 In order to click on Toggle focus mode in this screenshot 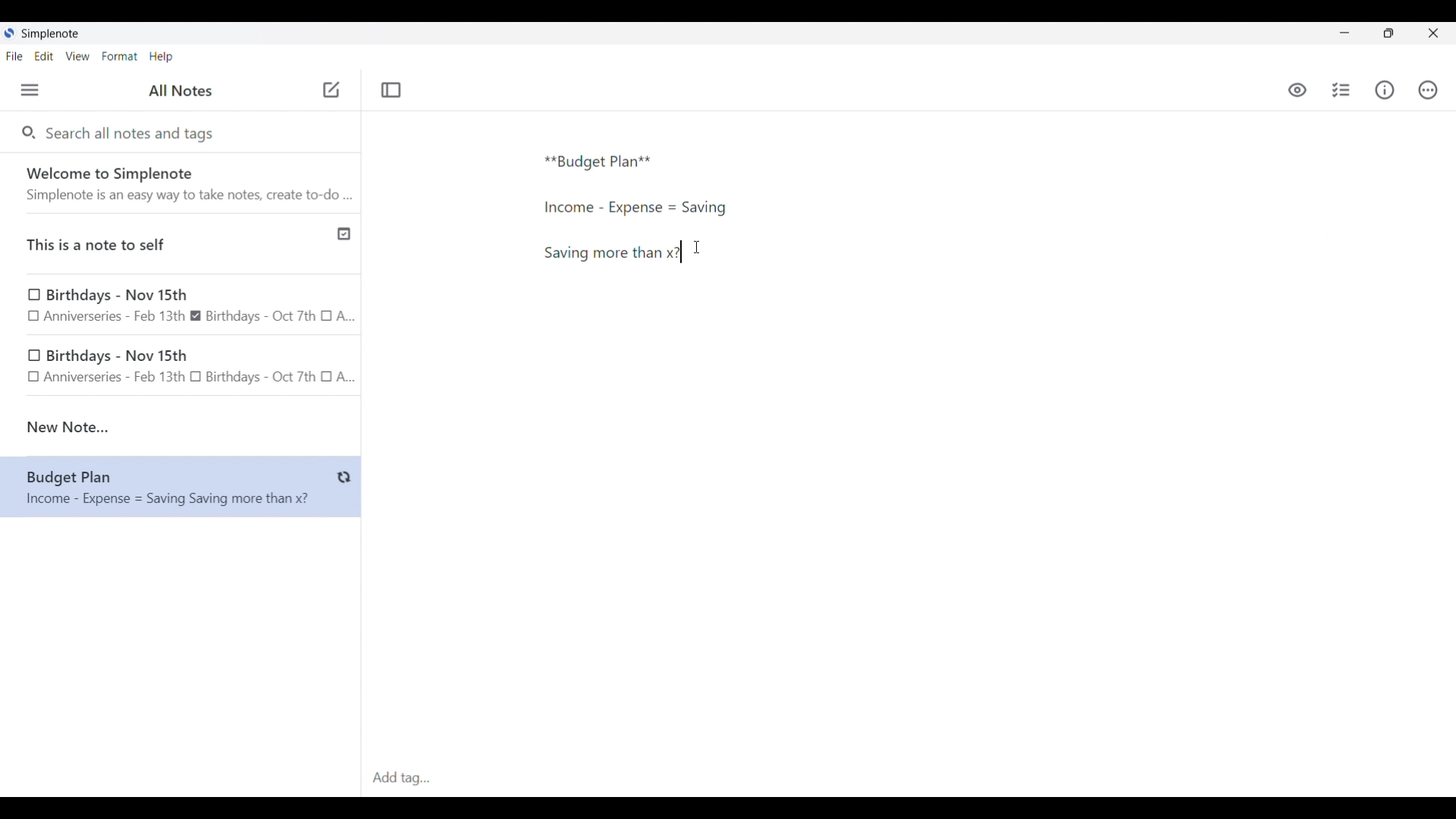, I will do `click(391, 90)`.